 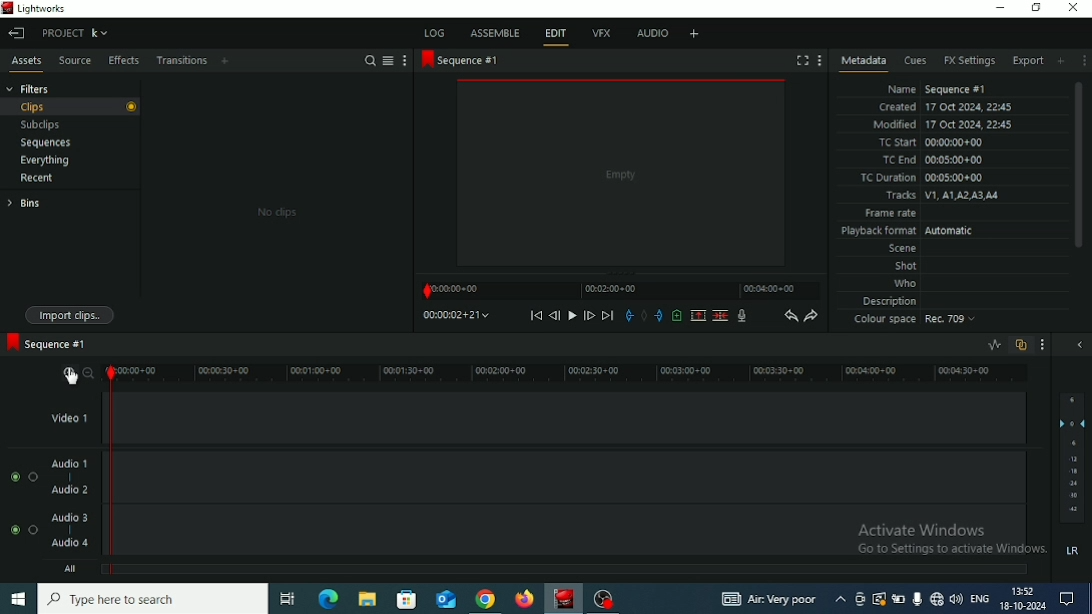 What do you see at coordinates (67, 374) in the screenshot?
I see `Zoom in` at bounding box center [67, 374].